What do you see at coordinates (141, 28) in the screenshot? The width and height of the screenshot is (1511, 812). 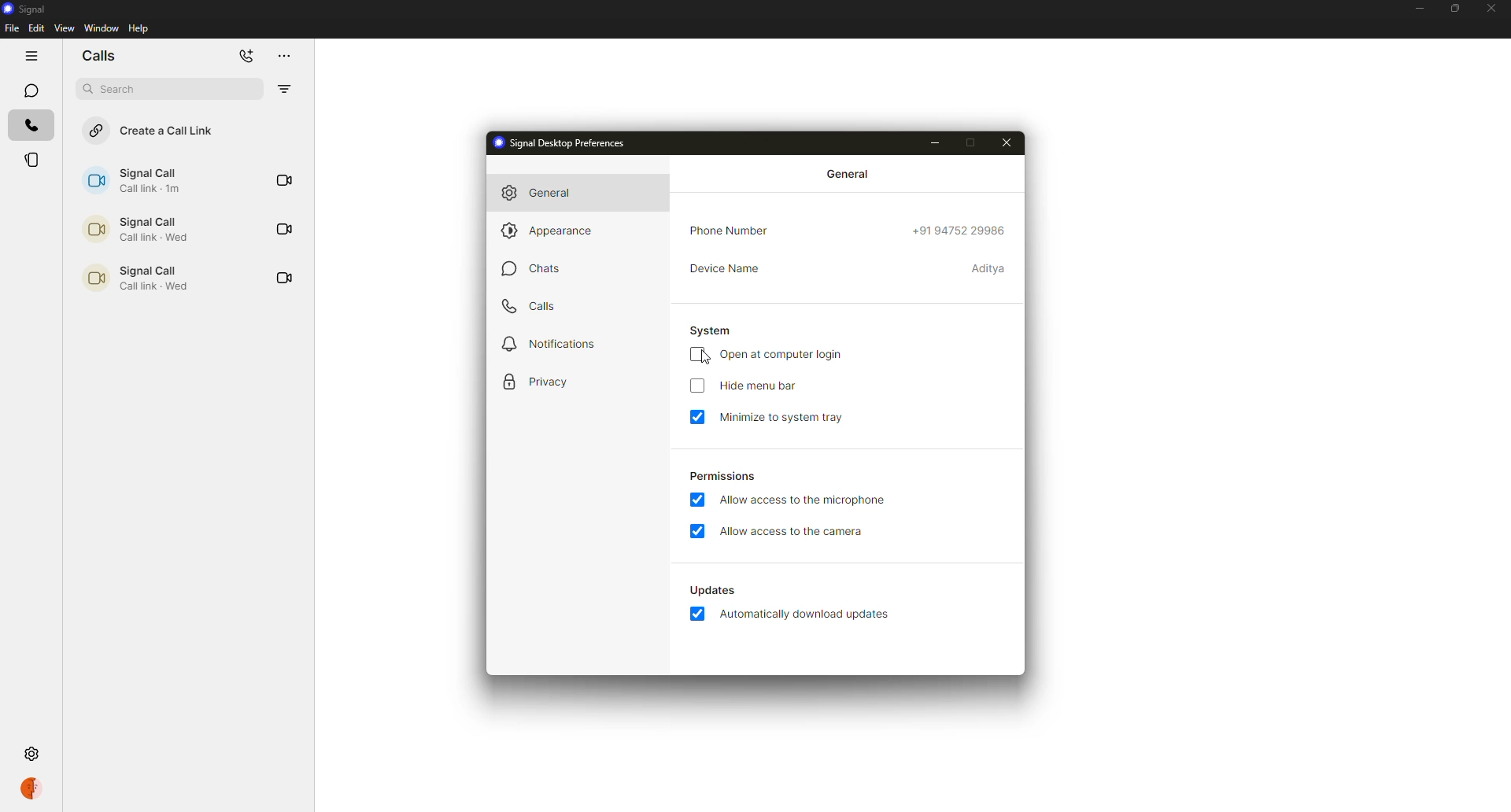 I see `help` at bounding box center [141, 28].